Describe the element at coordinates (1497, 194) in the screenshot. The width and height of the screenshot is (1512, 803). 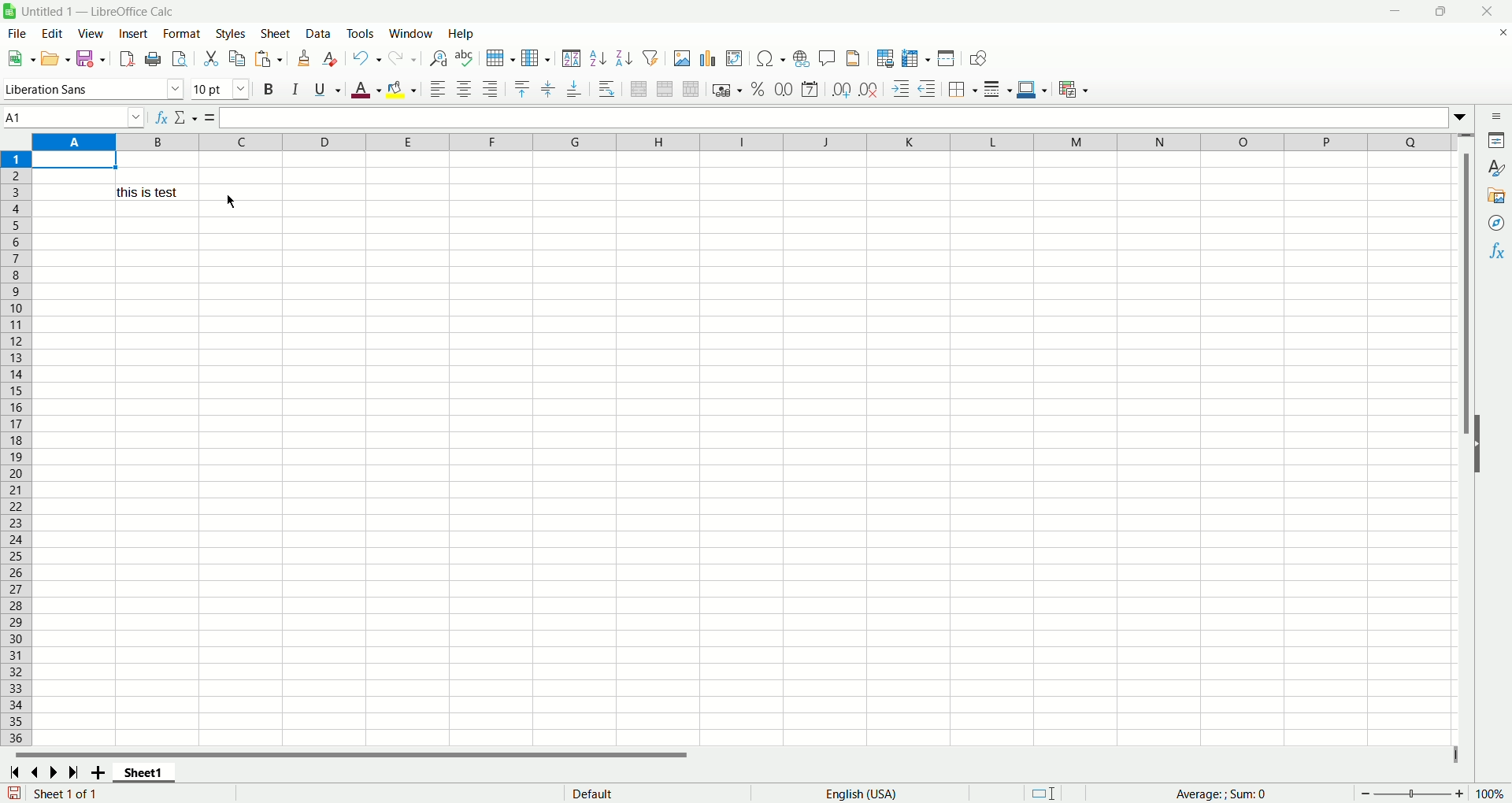
I see `gallery` at that location.